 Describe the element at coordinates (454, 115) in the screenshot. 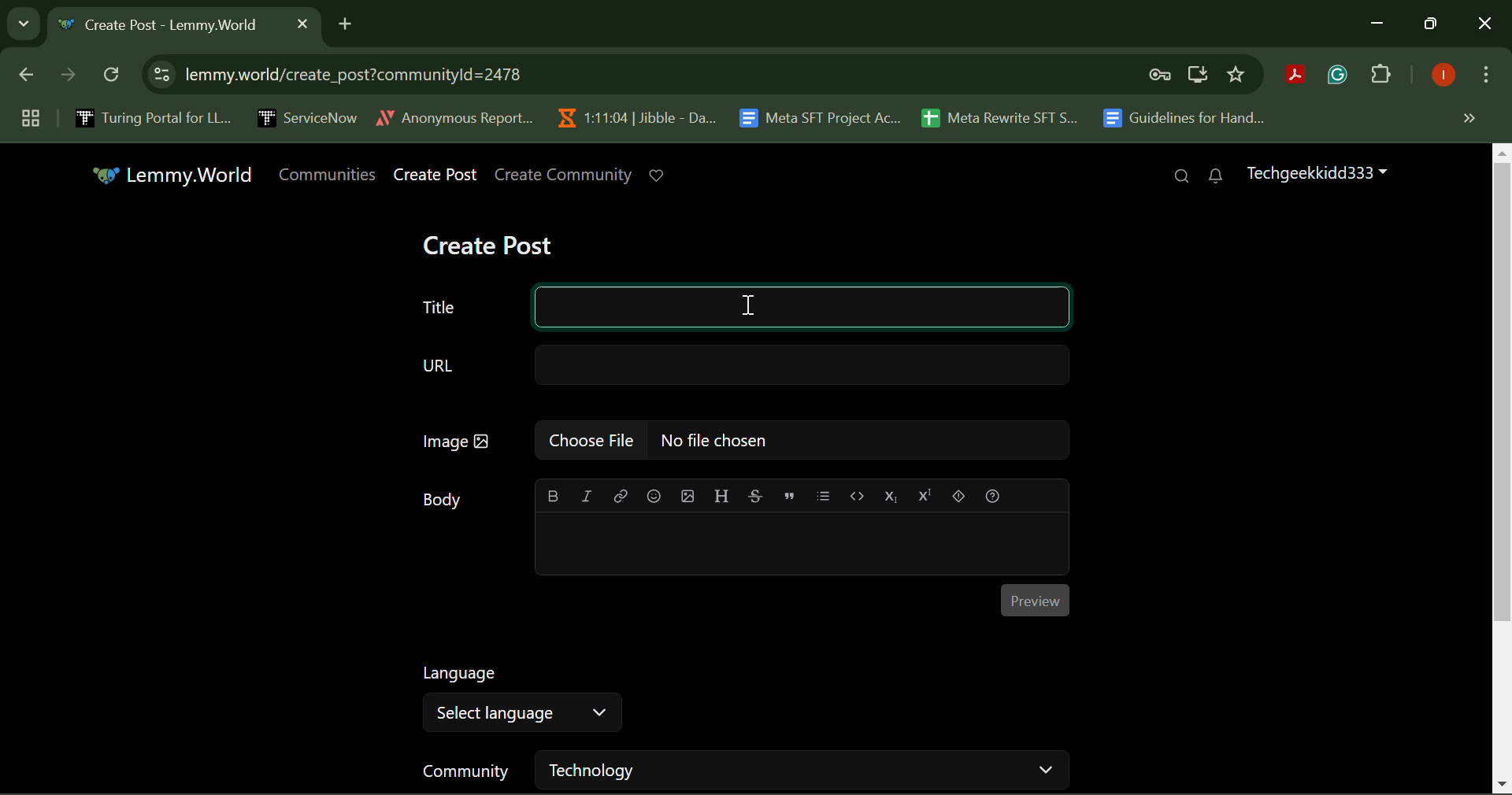

I see `Anonymous Report` at that location.